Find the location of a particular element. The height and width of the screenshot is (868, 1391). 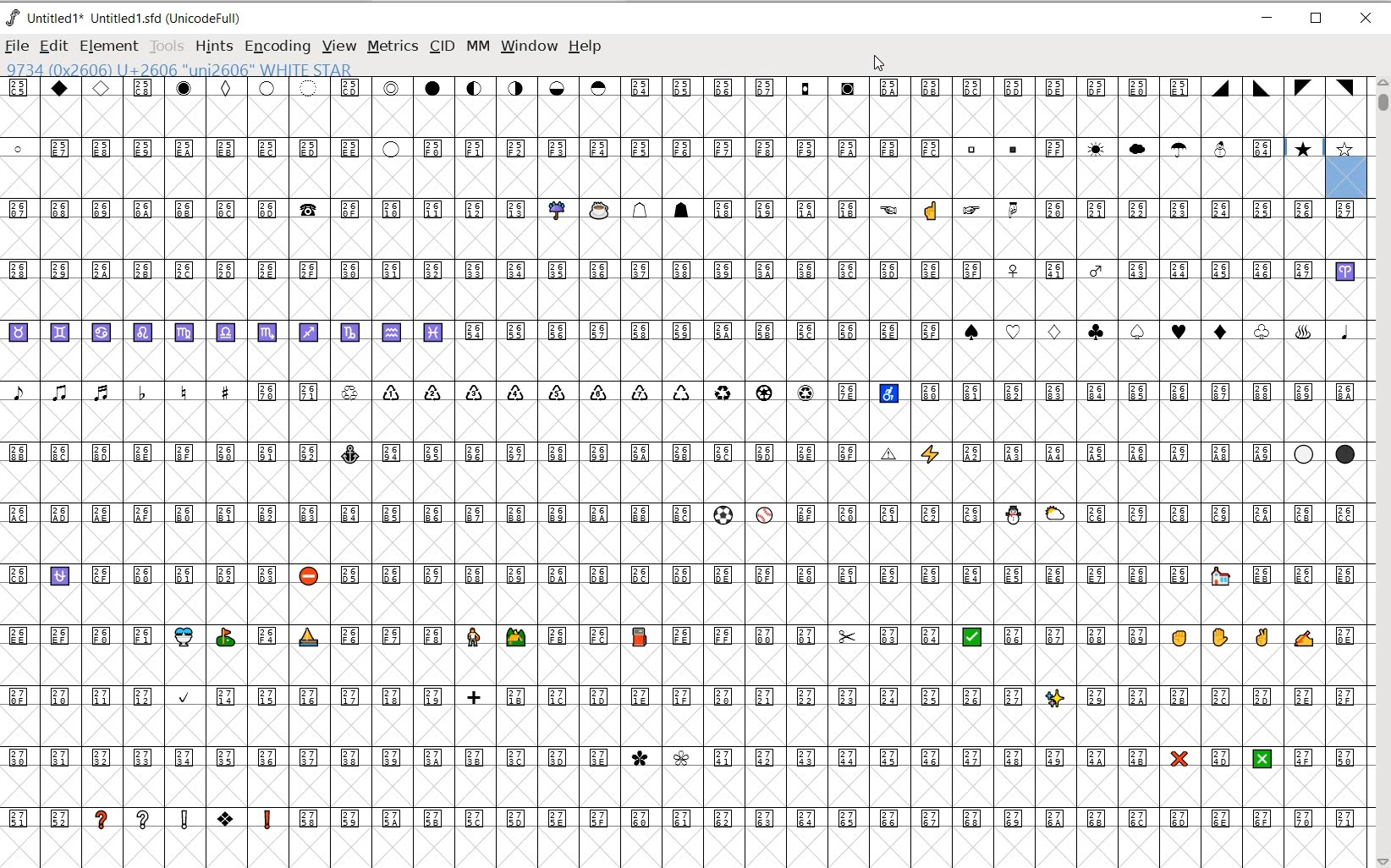

Untitled 1* Untitled 1.sfd (UnicodeFull) is located at coordinates (130, 19).